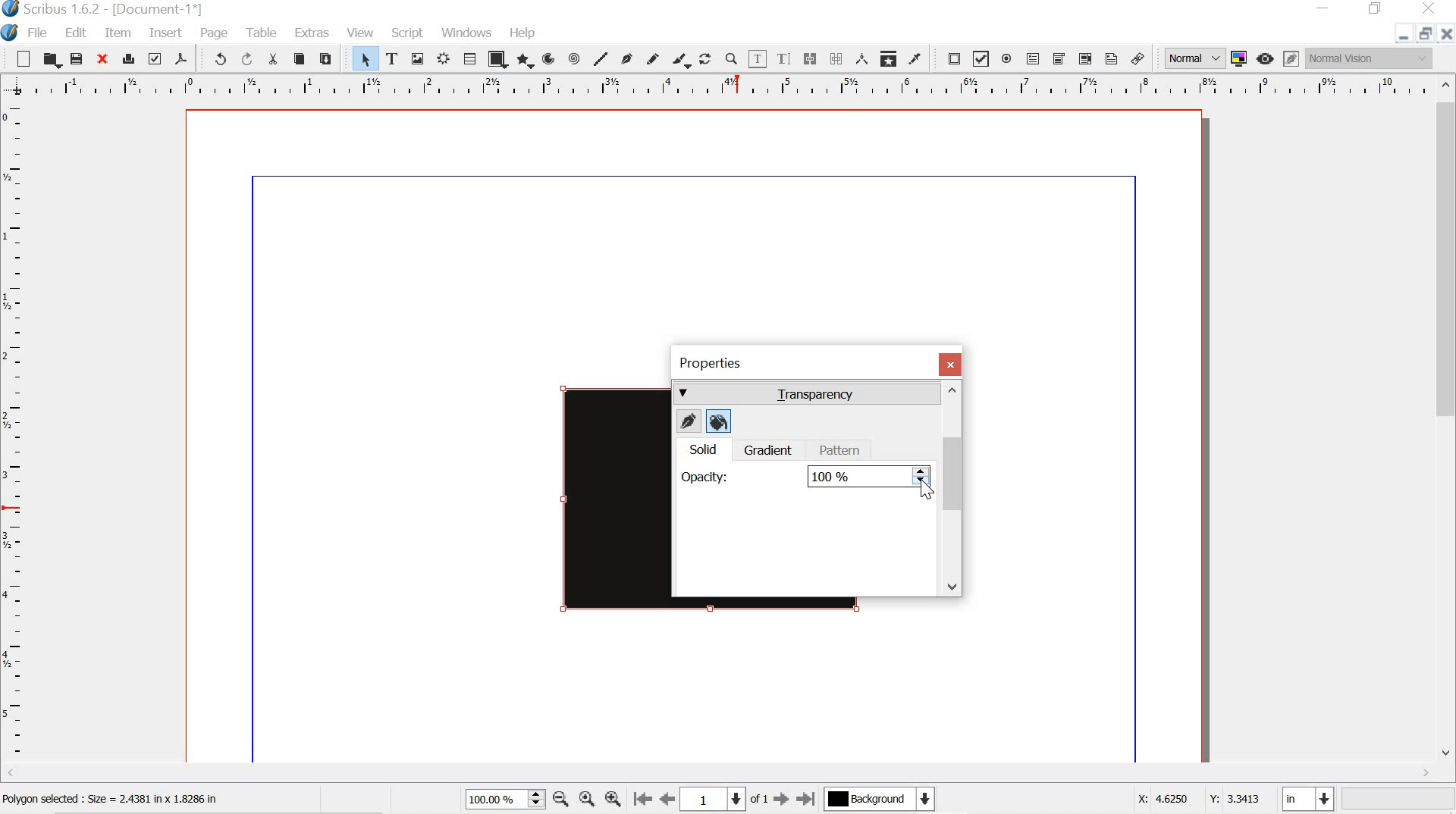  What do you see at coordinates (118, 800) in the screenshot?
I see `Polygon selected : Size = 2.4381 in x 1.8286 in` at bounding box center [118, 800].